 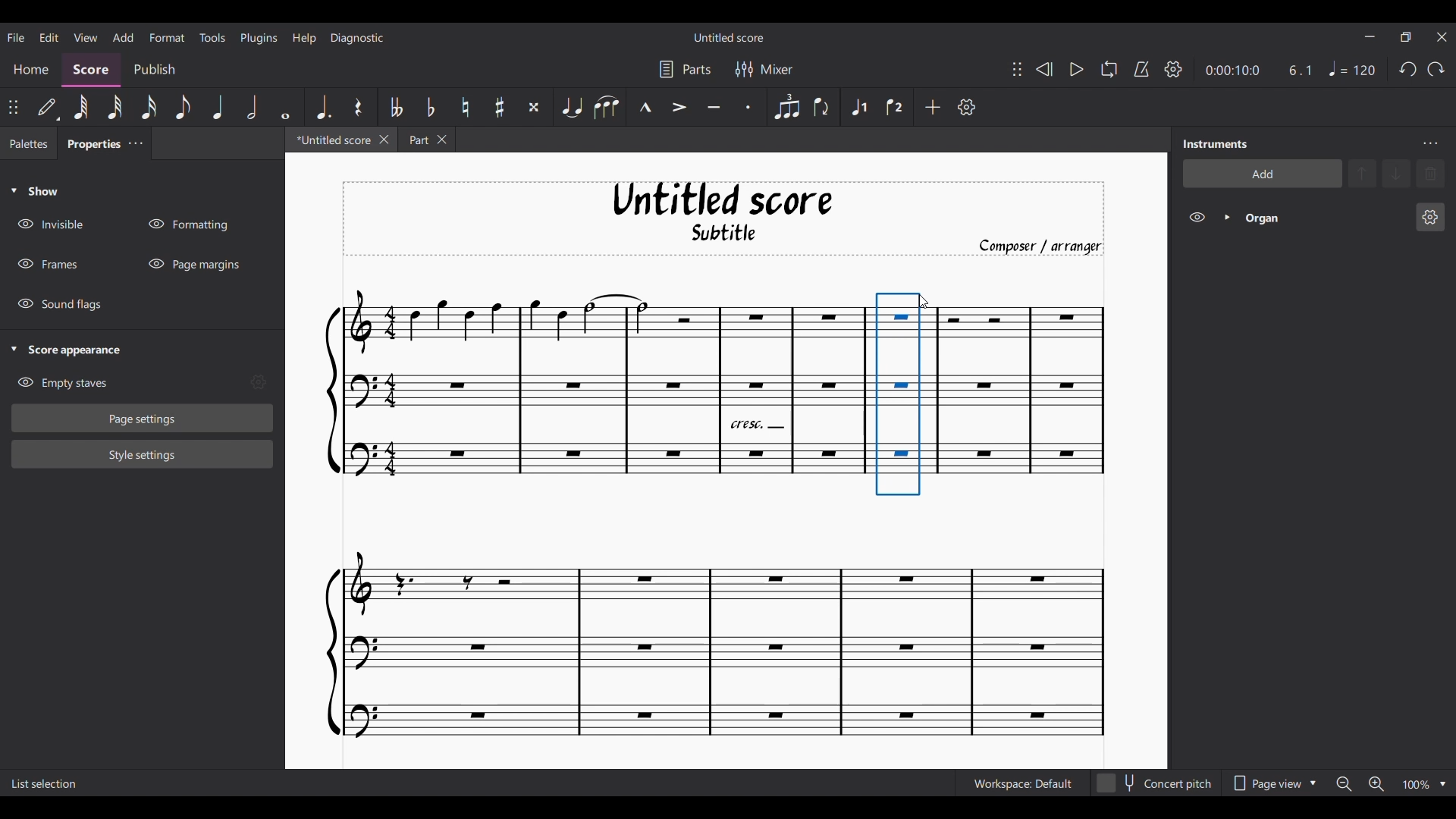 What do you see at coordinates (135, 143) in the screenshot?
I see `Close/Undock Properties tab` at bounding box center [135, 143].